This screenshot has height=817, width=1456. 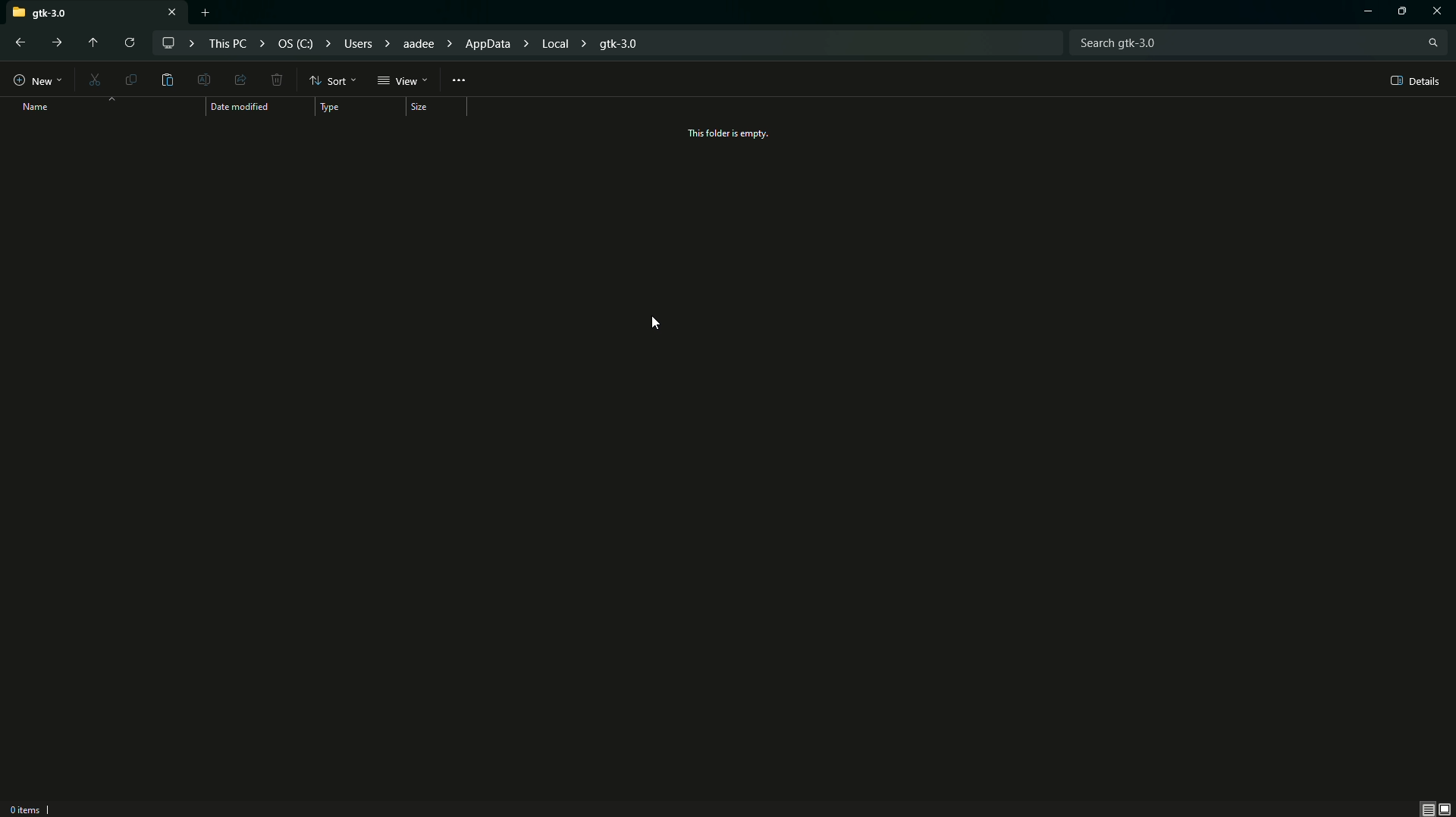 I want to click on Move up, so click(x=91, y=44).